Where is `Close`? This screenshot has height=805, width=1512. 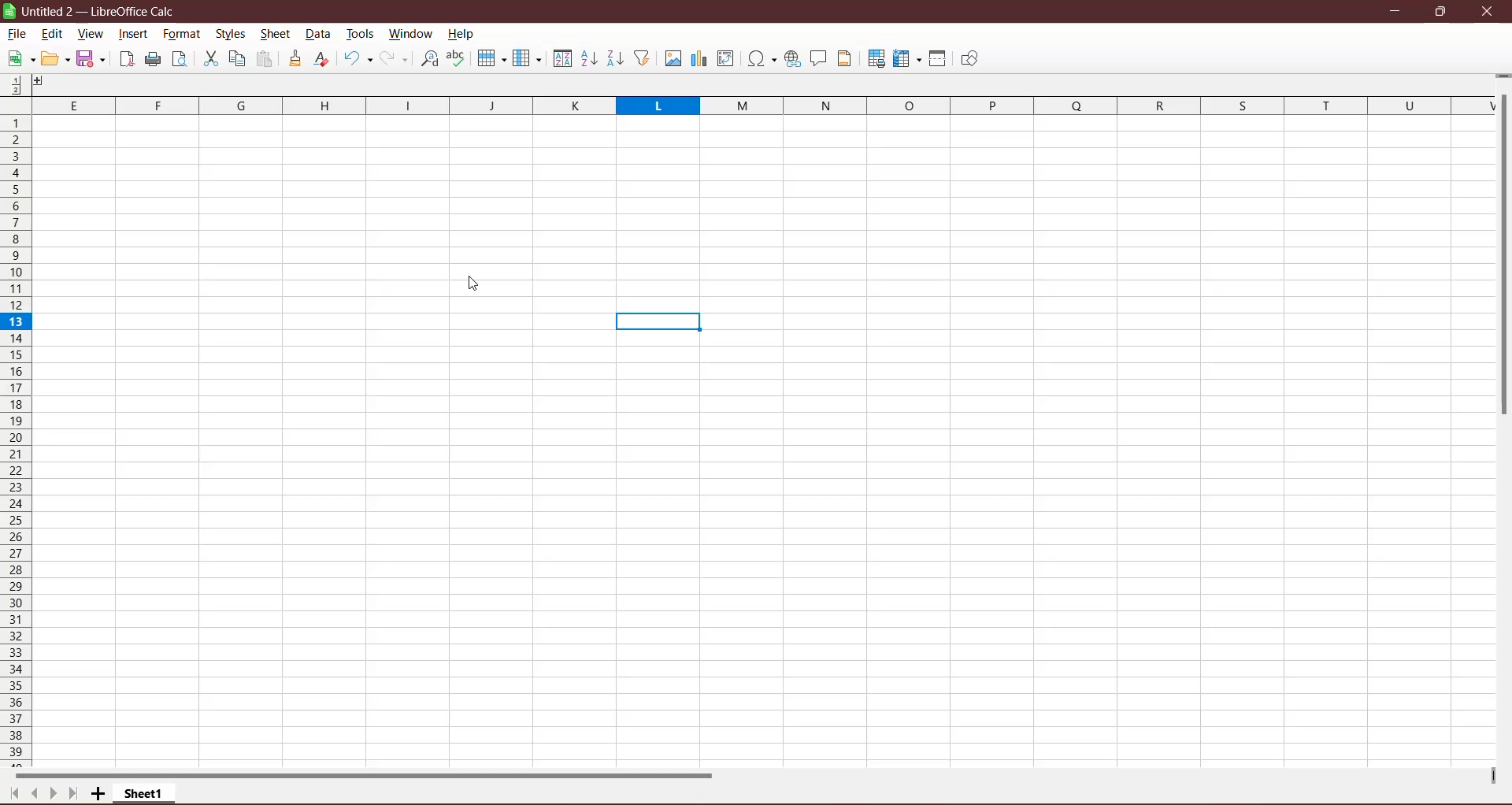 Close is located at coordinates (1488, 12).